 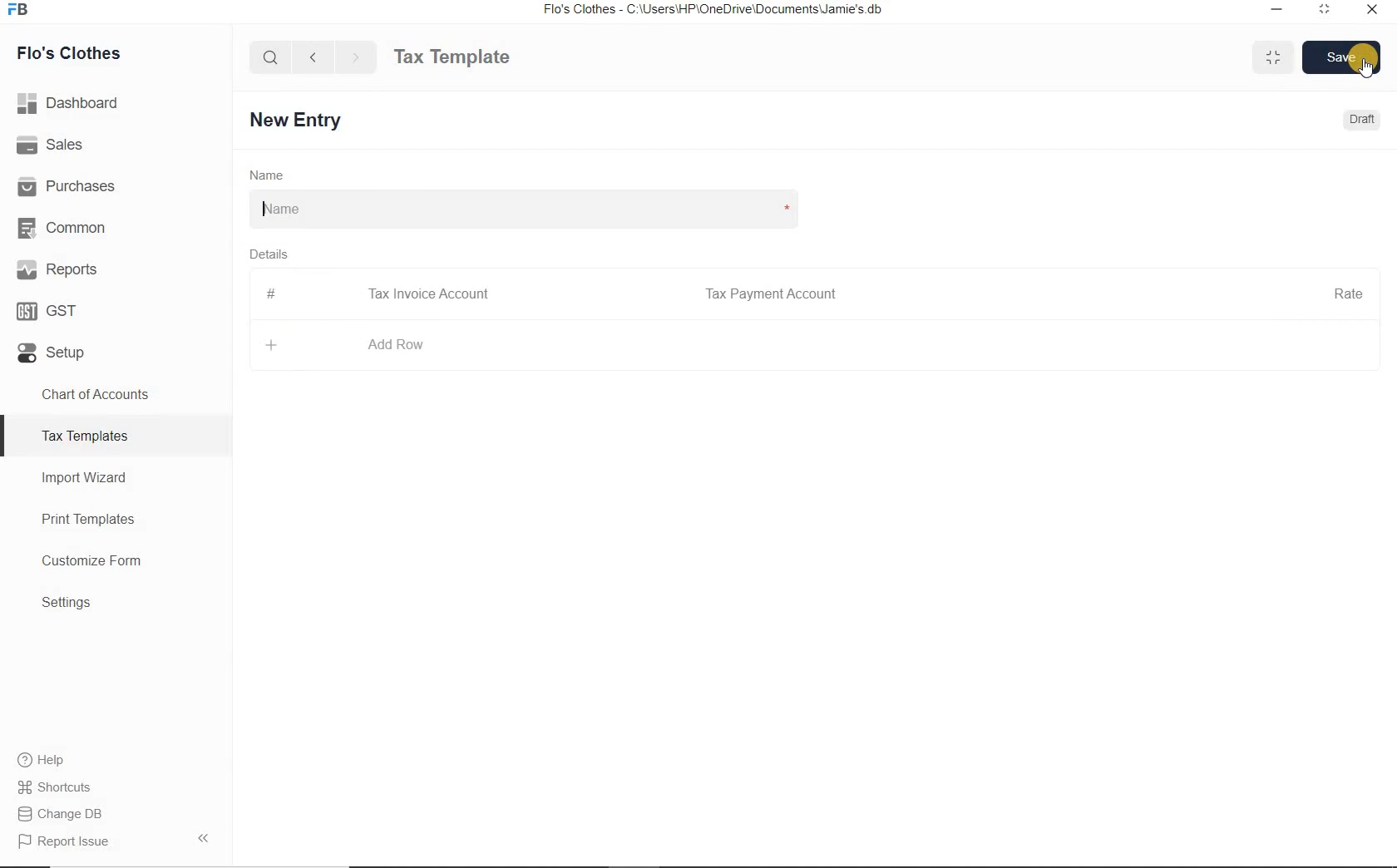 What do you see at coordinates (116, 519) in the screenshot?
I see `Print Templates` at bounding box center [116, 519].